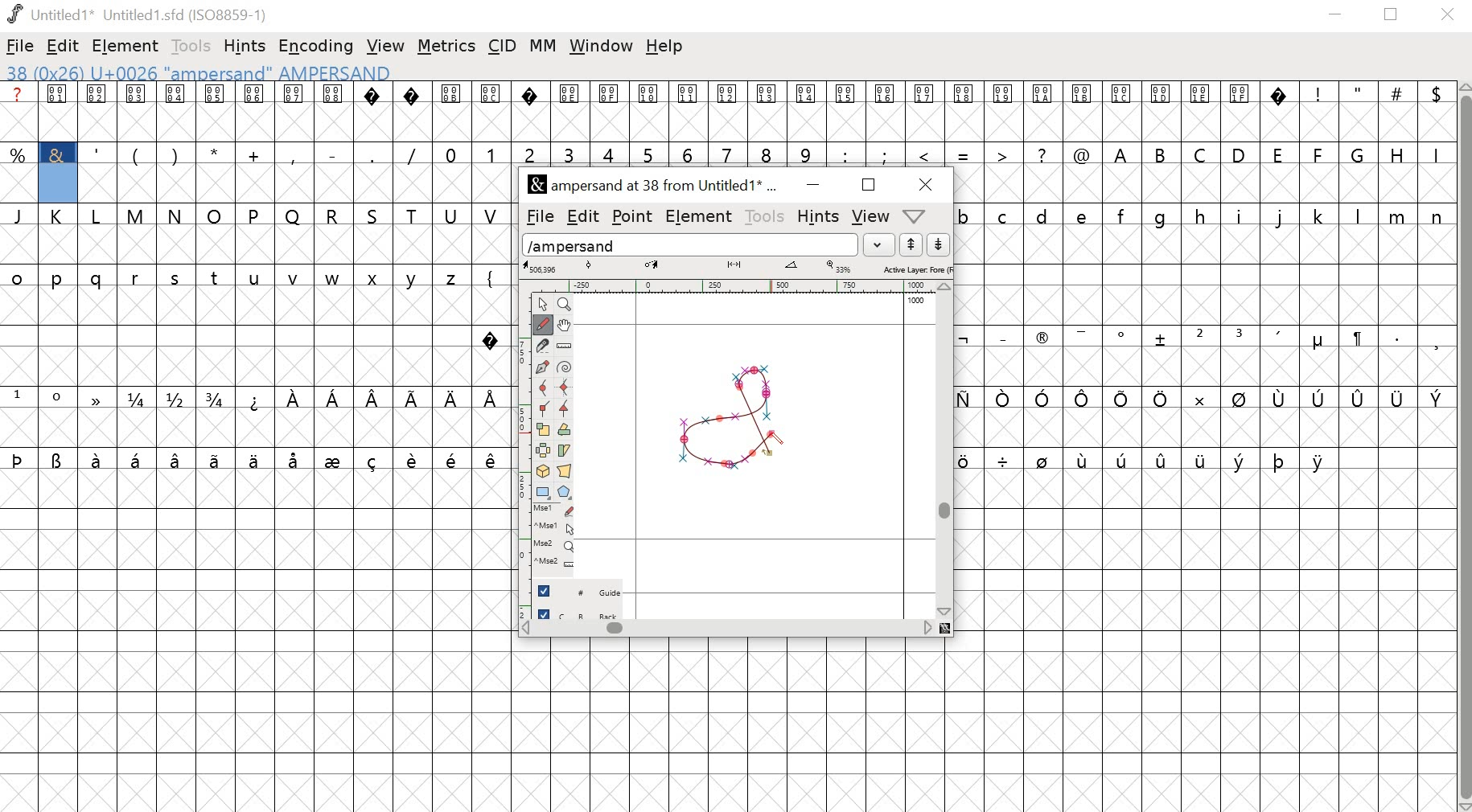  I want to click on $, so click(1434, 112).